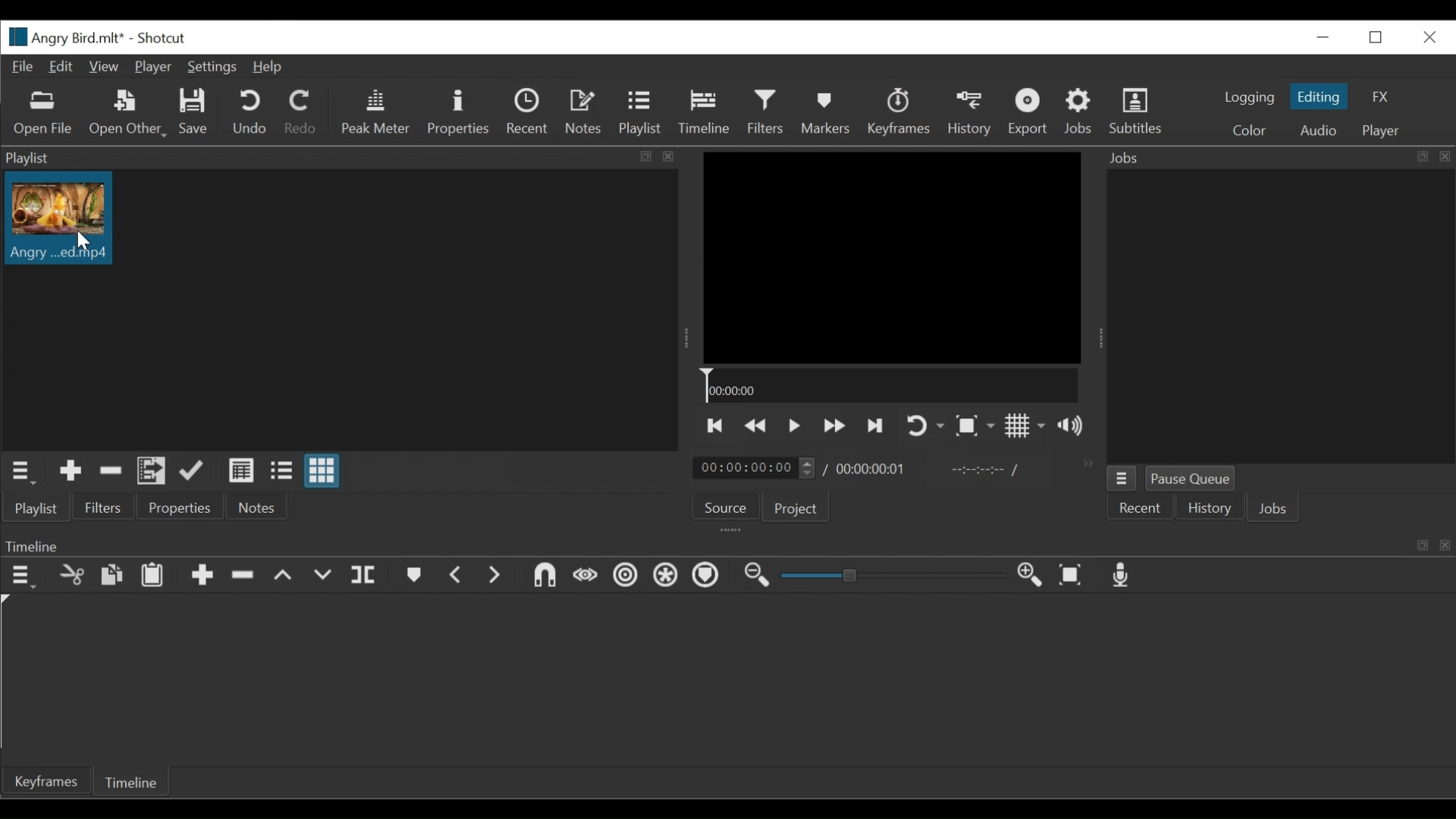  I want to click on Skip to the previous point, so click(717, 427).